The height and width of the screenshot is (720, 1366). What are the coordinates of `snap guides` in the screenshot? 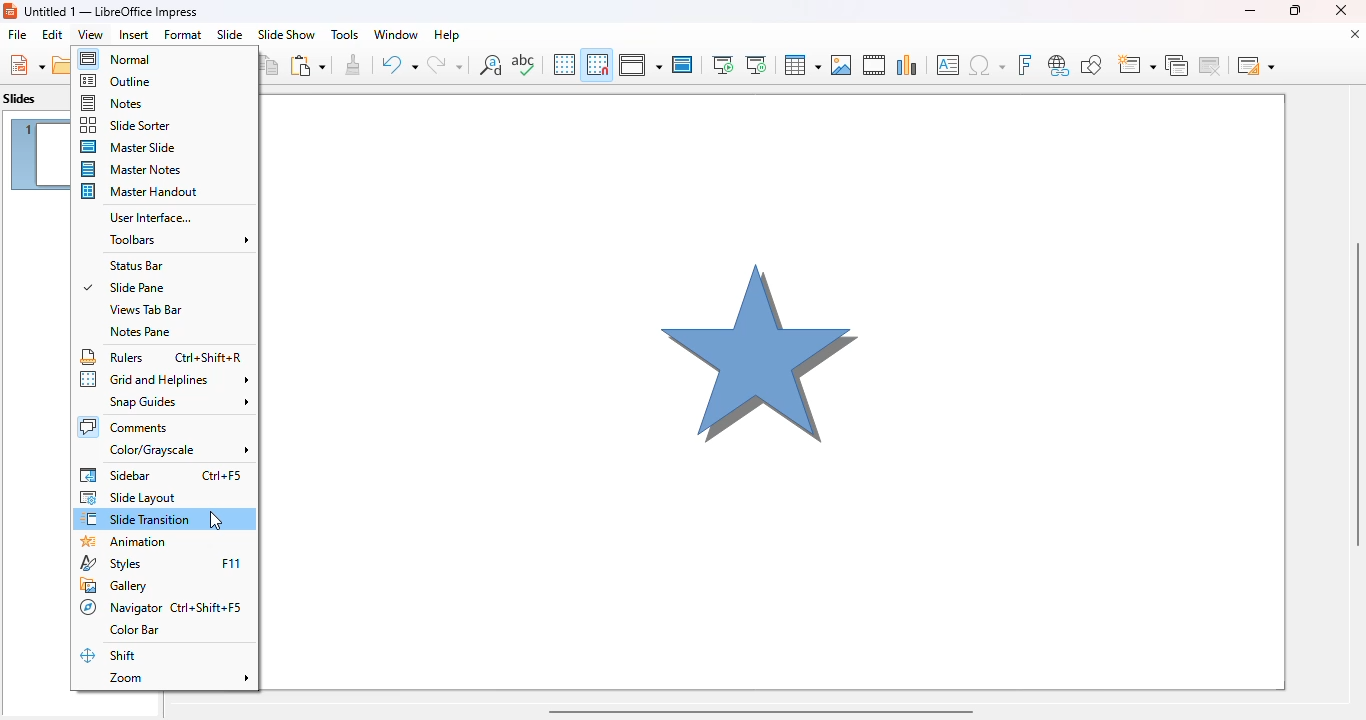 It's located at (177, 402).